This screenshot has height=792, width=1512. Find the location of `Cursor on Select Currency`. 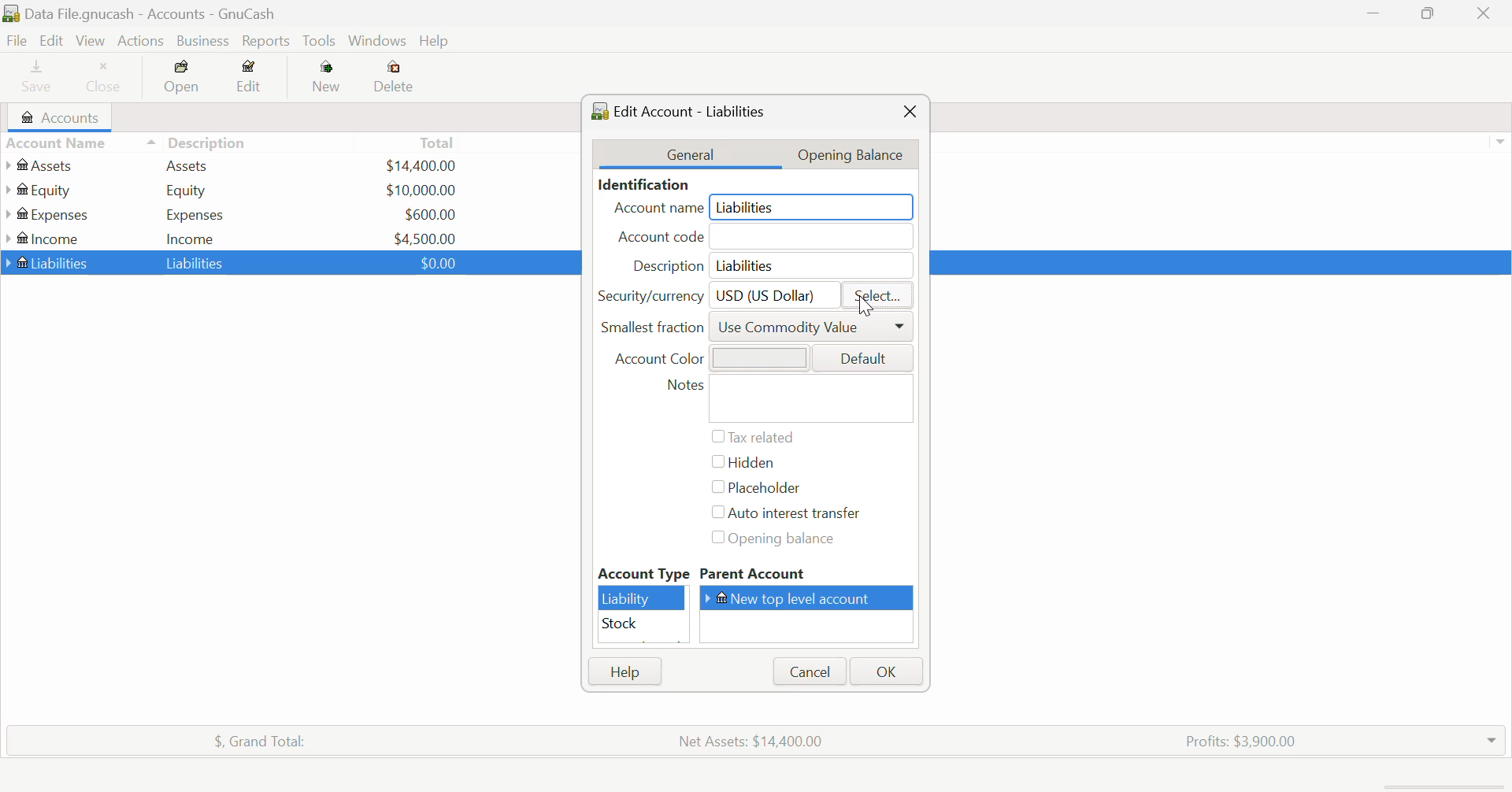

Cursor on Select Currency is located at coordinates (860, 302).